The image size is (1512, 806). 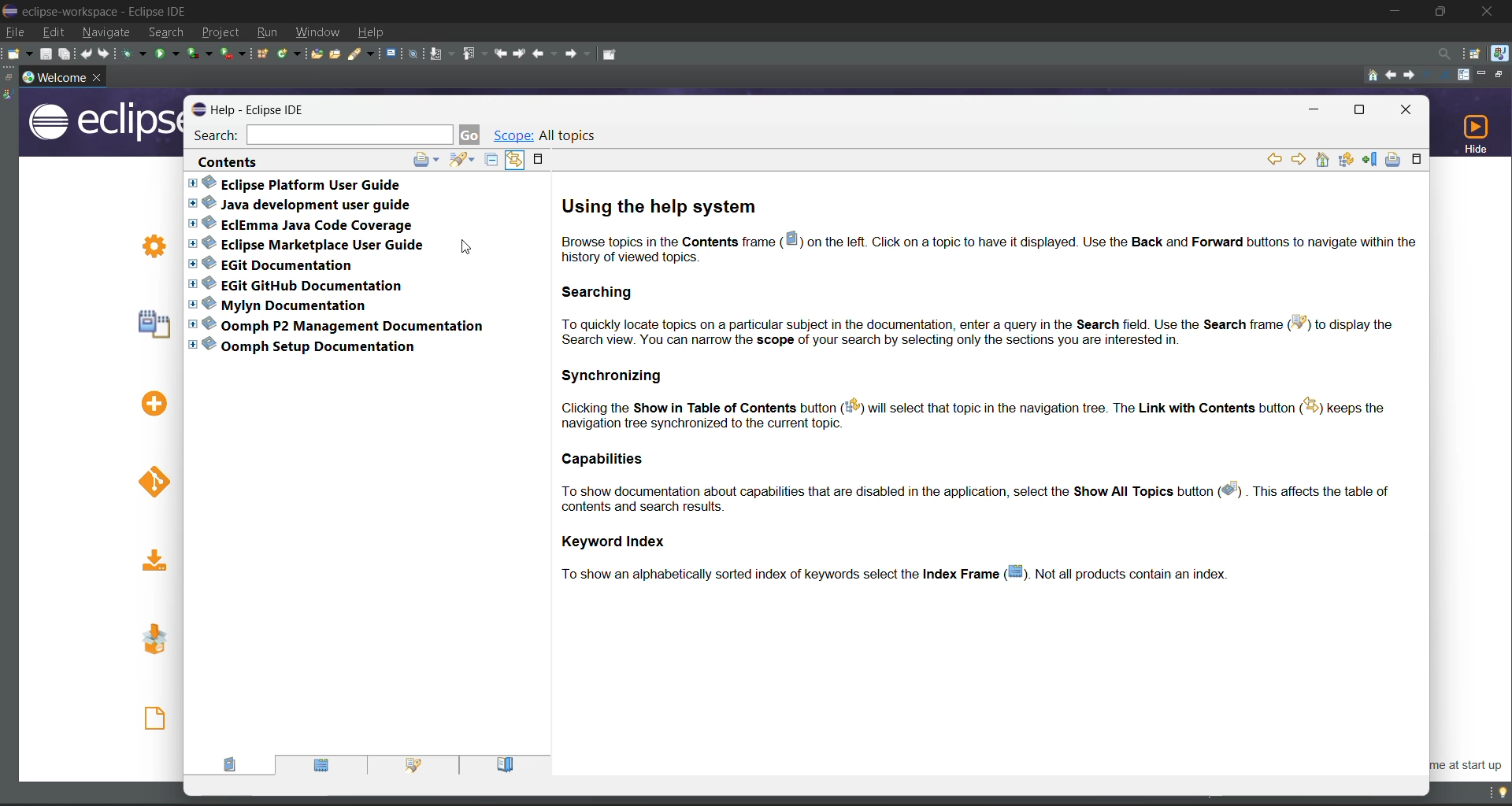 What do you see at coordinates (261, 51) in the screenshot?
I see `new java package` at bounding box center [261, 51].